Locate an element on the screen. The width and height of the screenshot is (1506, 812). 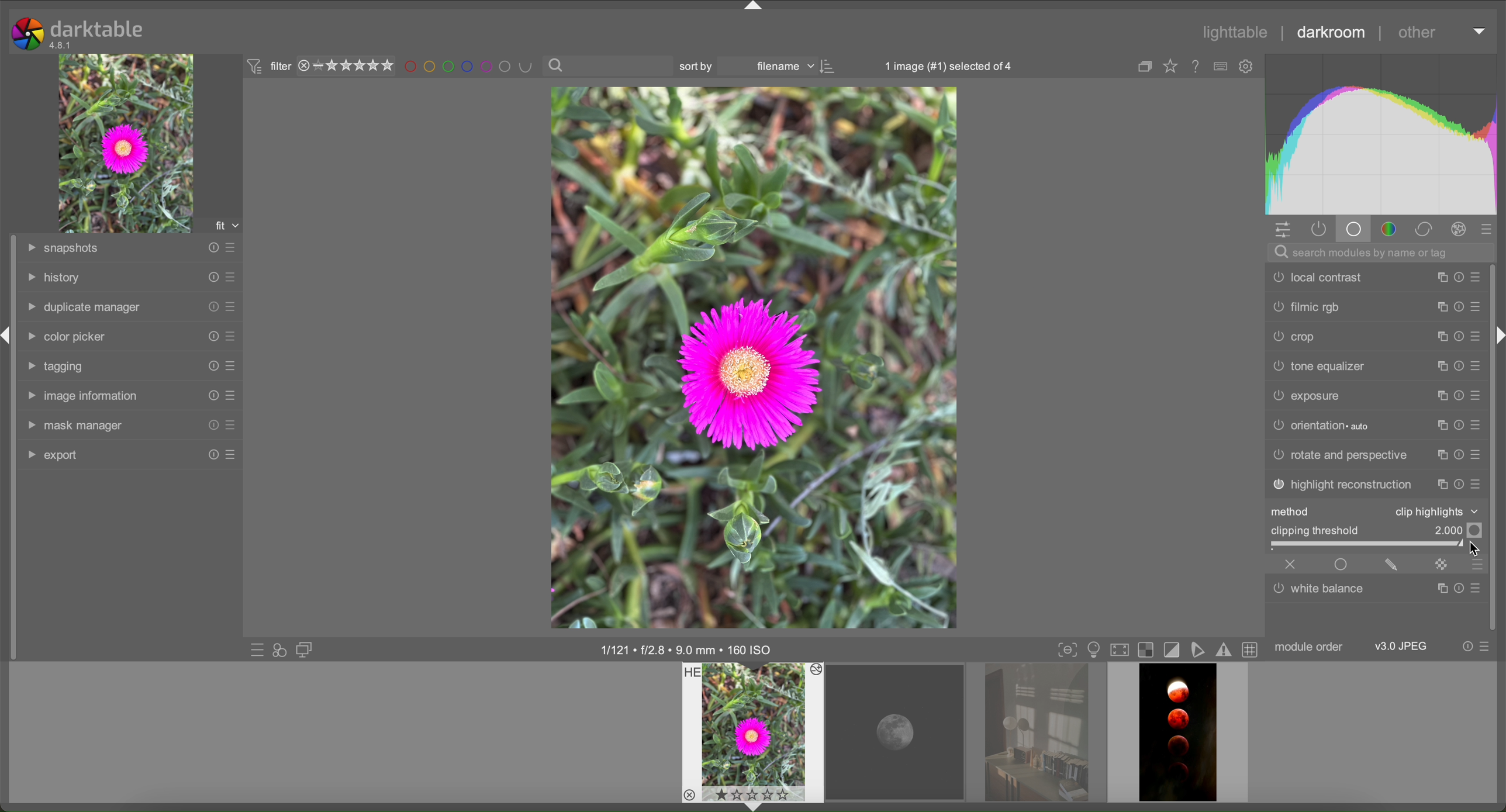
presets is located at coordinates (234, 278).